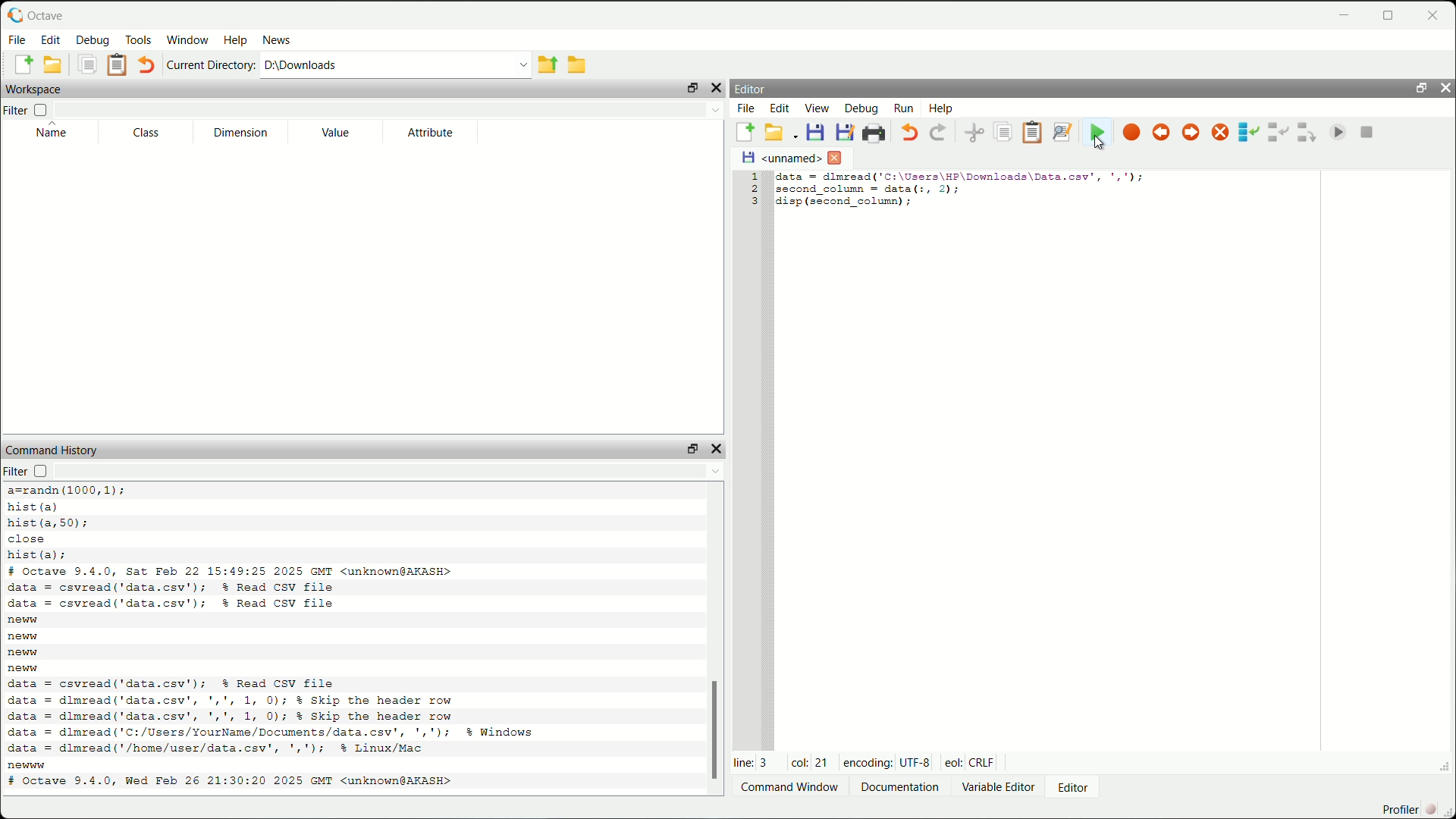 This screenshot has height=819, width=1456. What do you see at coordinates (709, 727) in the screenshot?
I see `scrollbar` at bounding box center [709, 727].